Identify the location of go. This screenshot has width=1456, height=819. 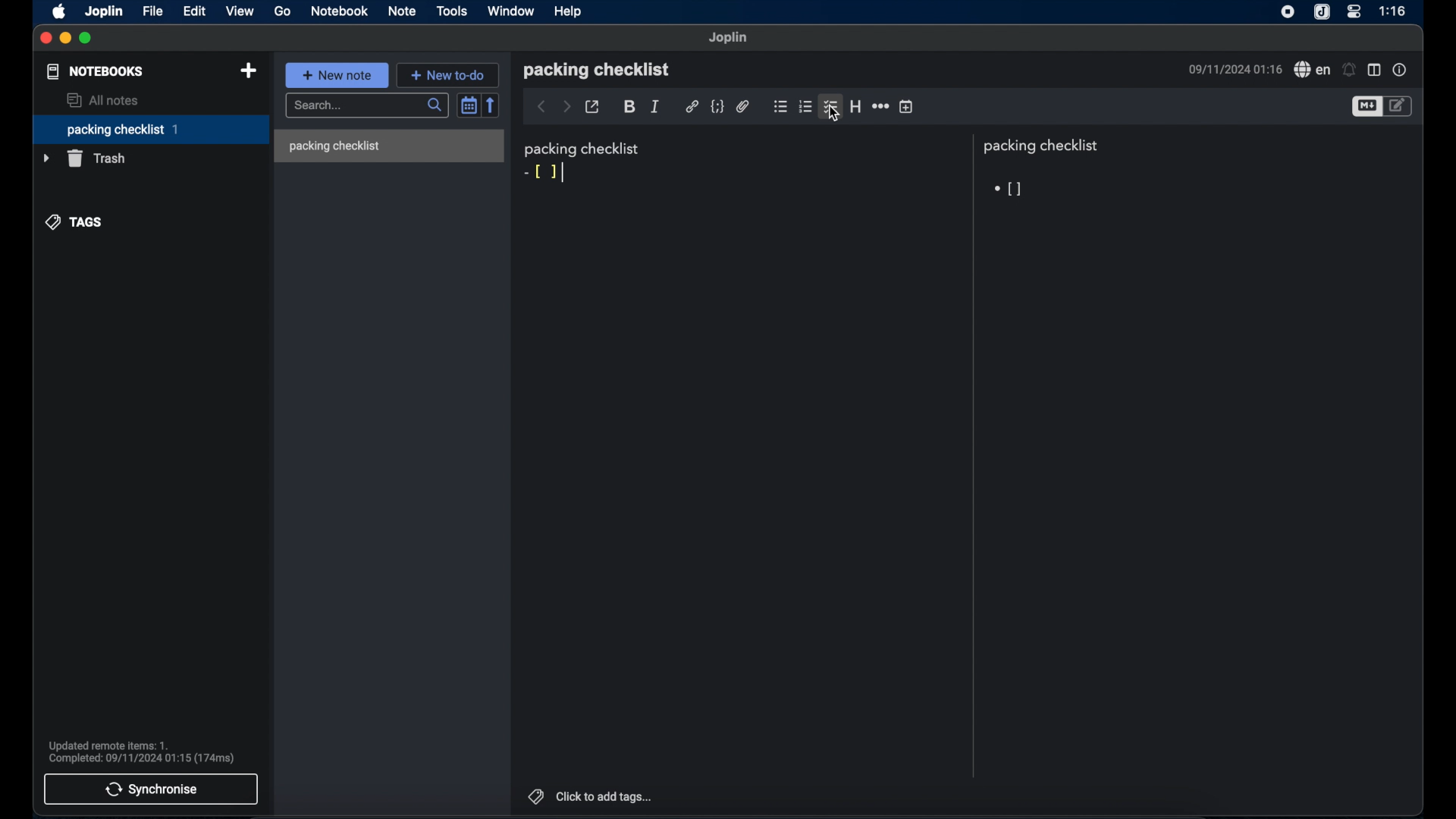
(282, 11).